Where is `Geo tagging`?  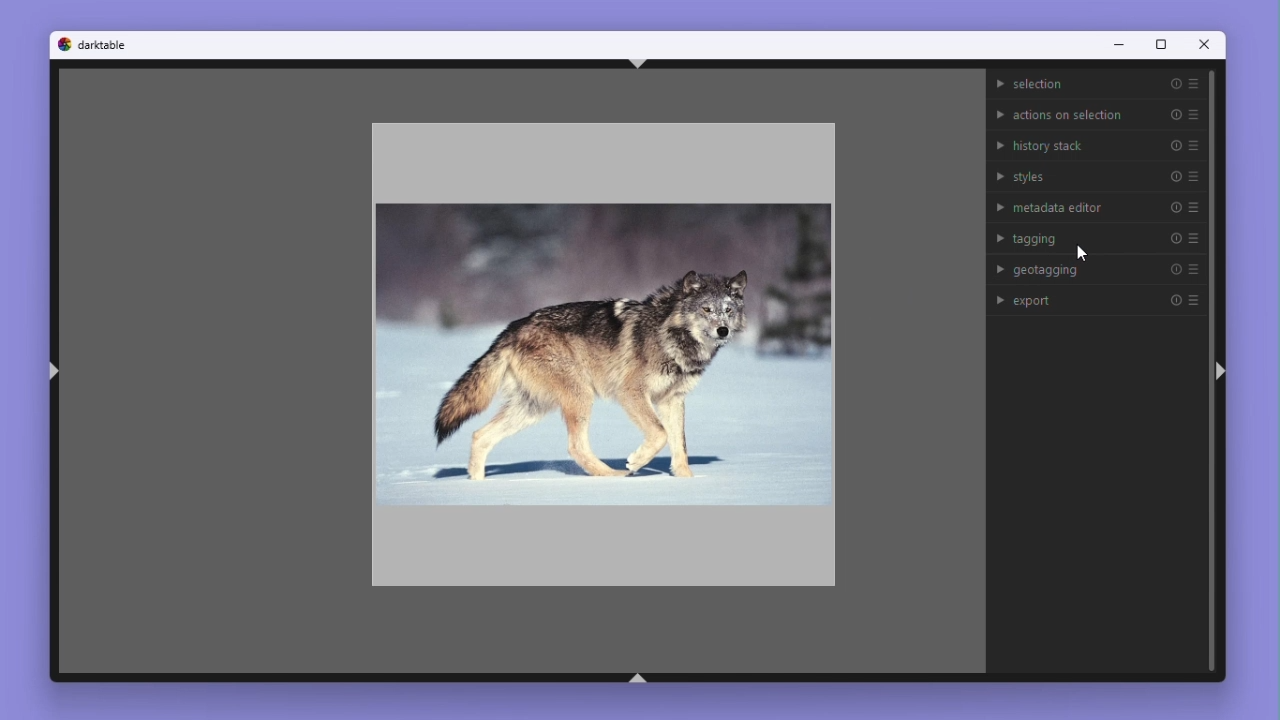 Geo tagging is located at coordinates (1097, 267).